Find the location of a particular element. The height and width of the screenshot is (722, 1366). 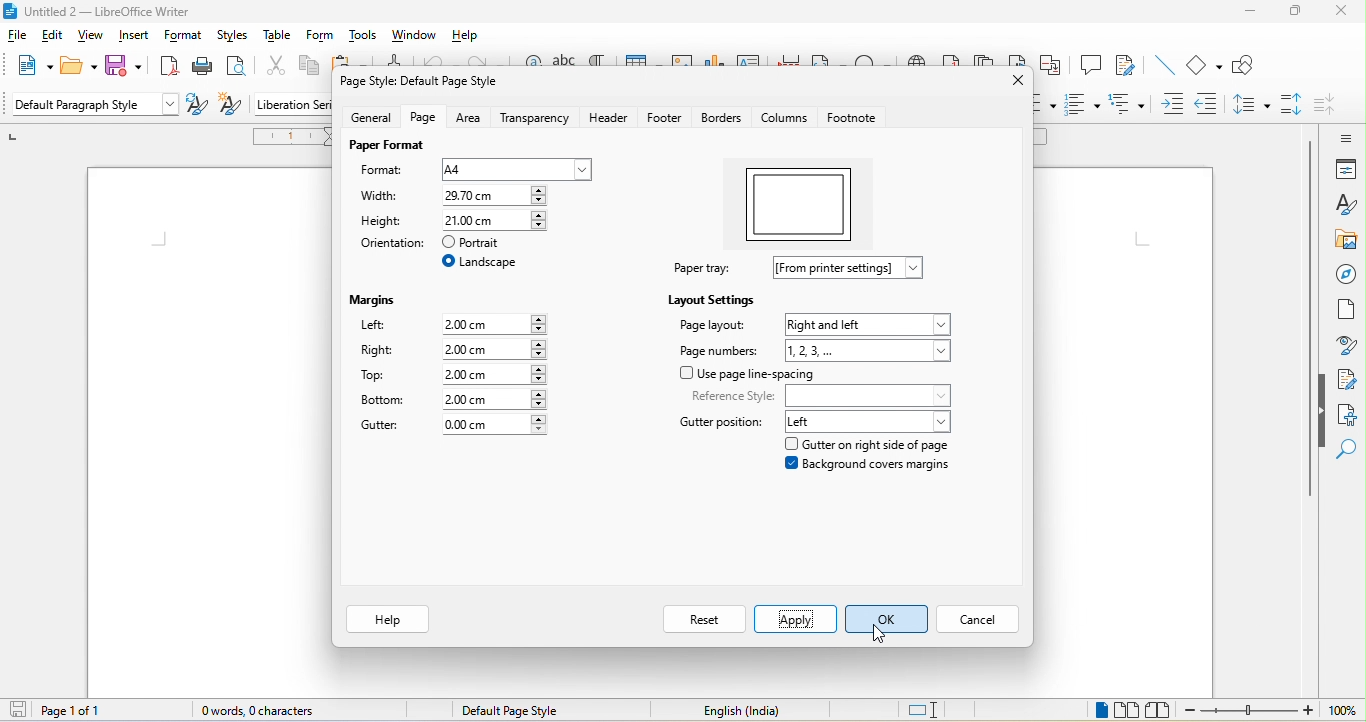

orientation is located at coordinates (389, 247).